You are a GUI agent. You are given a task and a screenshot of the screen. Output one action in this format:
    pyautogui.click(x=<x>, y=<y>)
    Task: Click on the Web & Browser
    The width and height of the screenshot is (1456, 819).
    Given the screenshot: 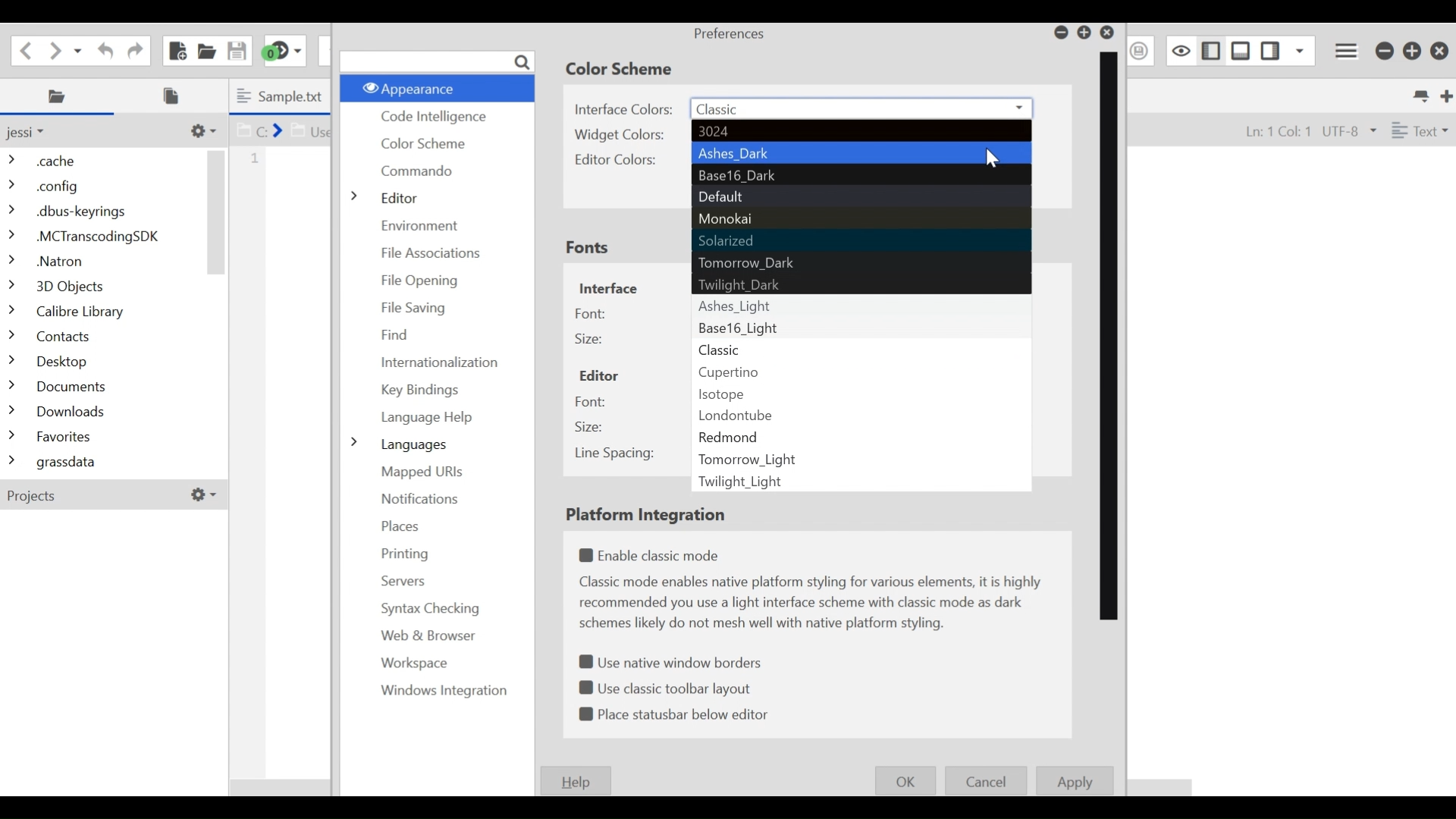 What is the action you would take?
    pyautogui.click(x=425, y=635)
    